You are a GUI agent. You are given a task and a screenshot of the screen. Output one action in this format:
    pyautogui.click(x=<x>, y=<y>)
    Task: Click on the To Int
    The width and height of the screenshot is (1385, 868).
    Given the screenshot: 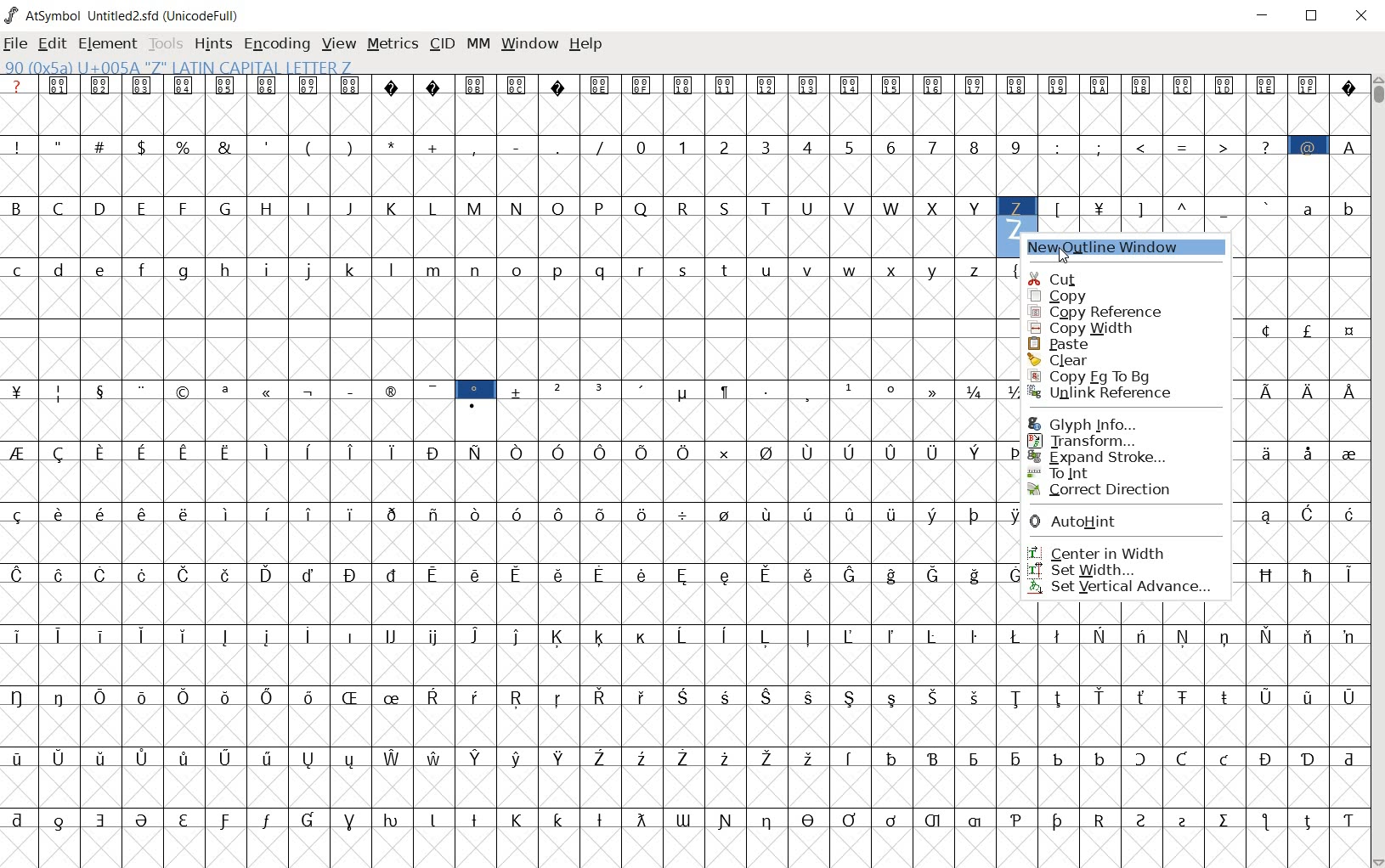 What is the action you would take?
    pyautogui.click(x=1106, y=472)
    